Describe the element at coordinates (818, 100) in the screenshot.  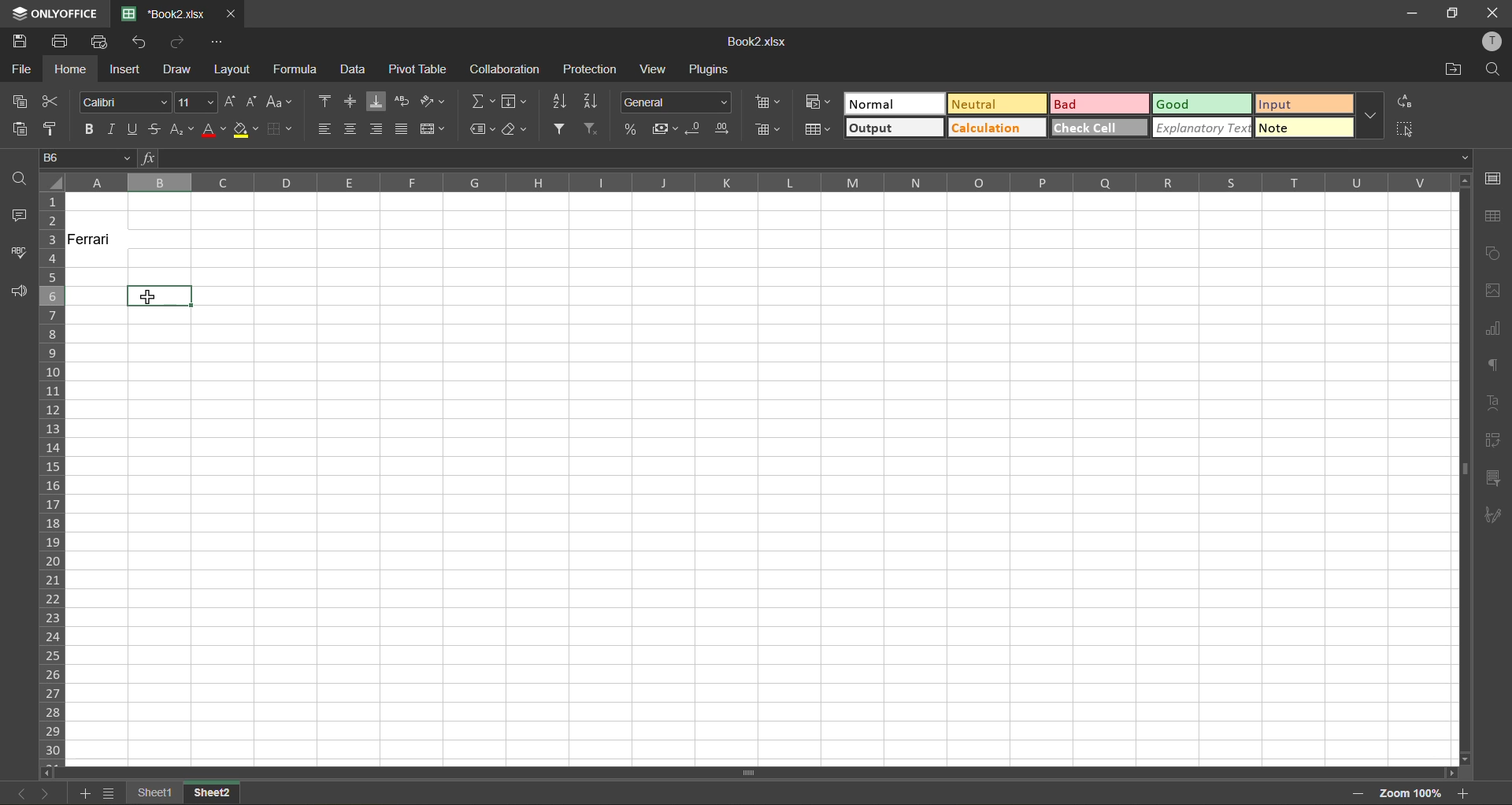
I see `conditional formatting` at that location.